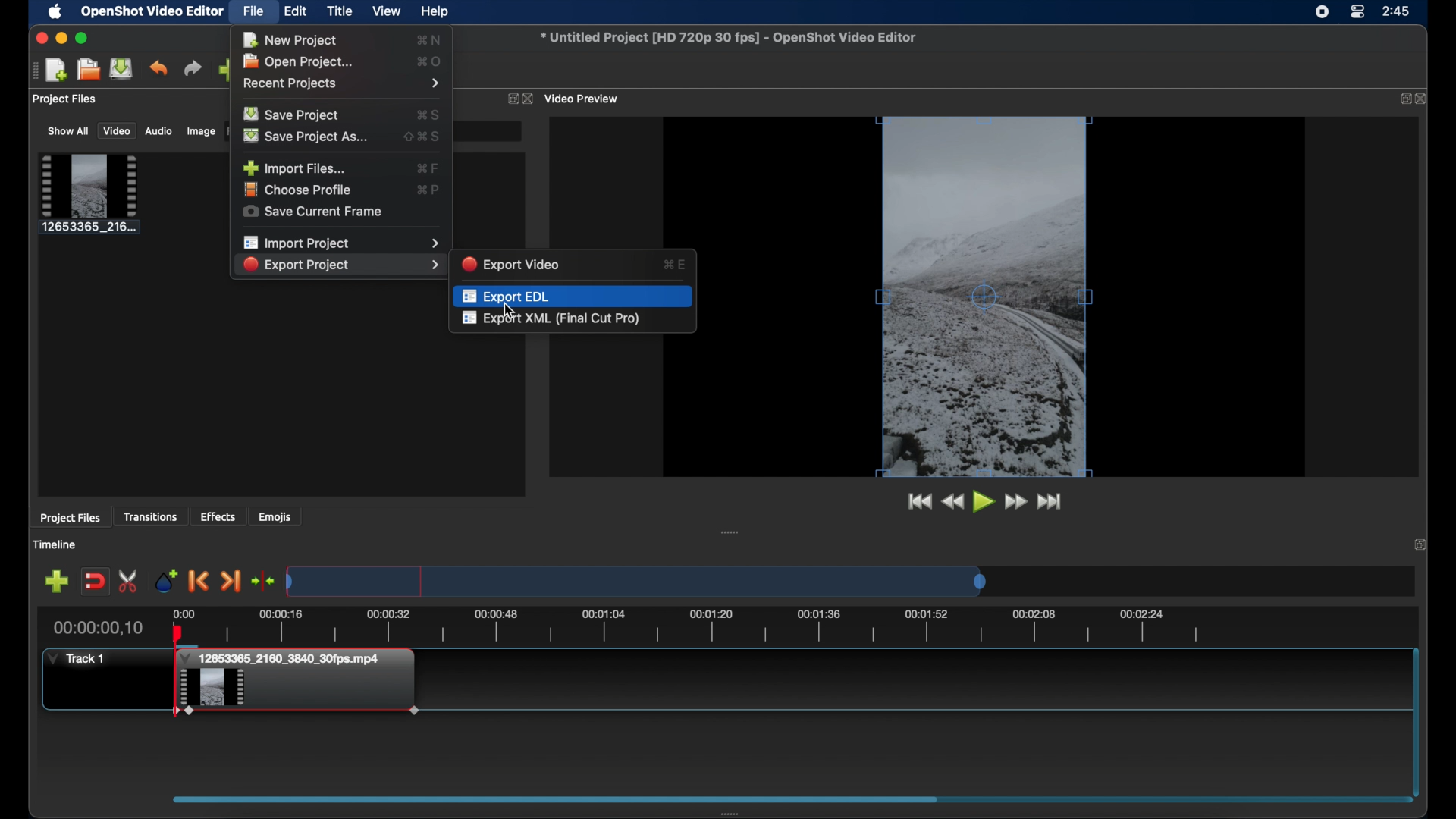 The height and width of the screenshot is (819, 1456). Describe the element at coordinates (39, 39) in the screenshot. I see `close` at that location.